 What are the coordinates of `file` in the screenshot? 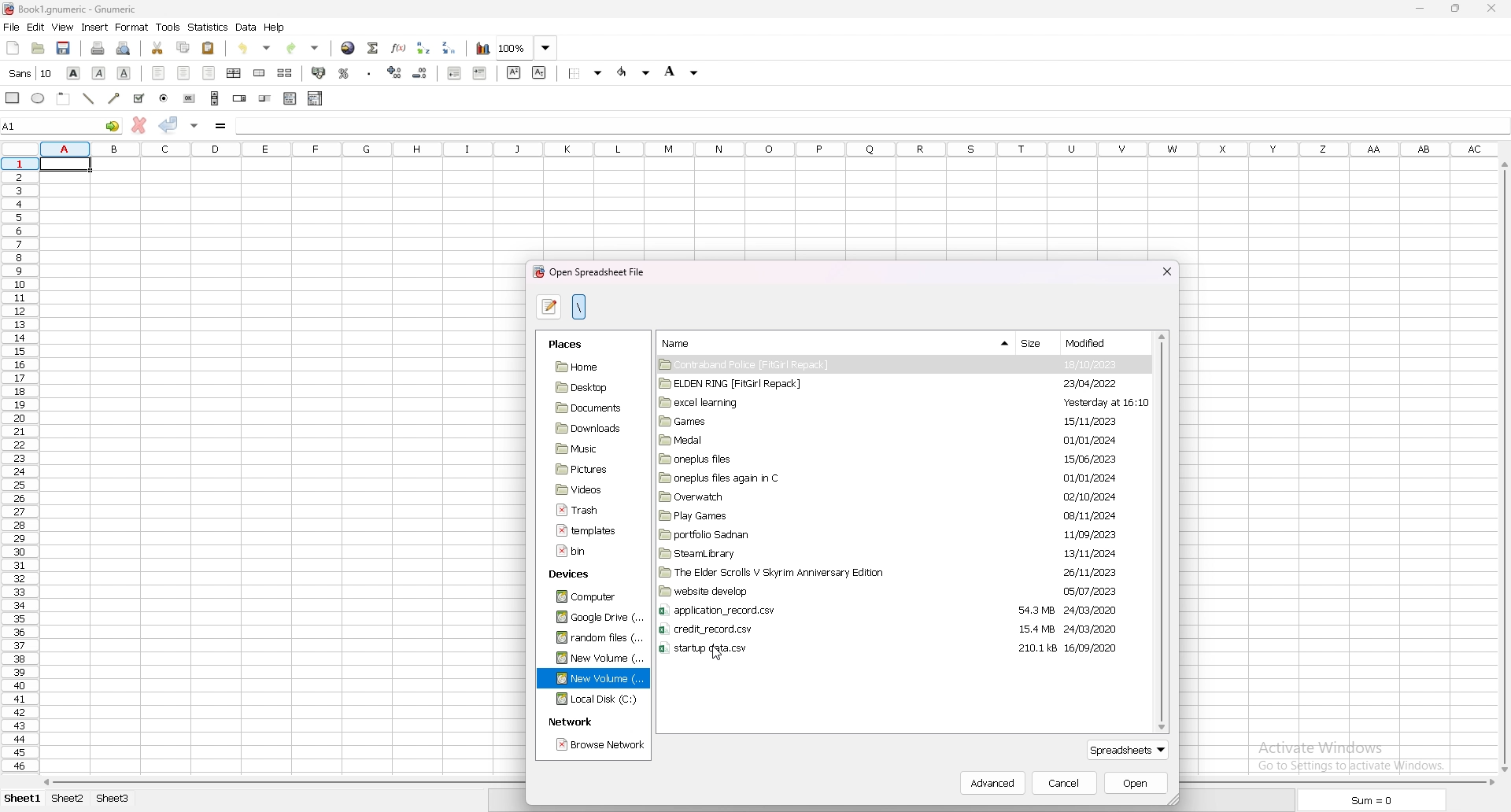 It's located at (585, 511).